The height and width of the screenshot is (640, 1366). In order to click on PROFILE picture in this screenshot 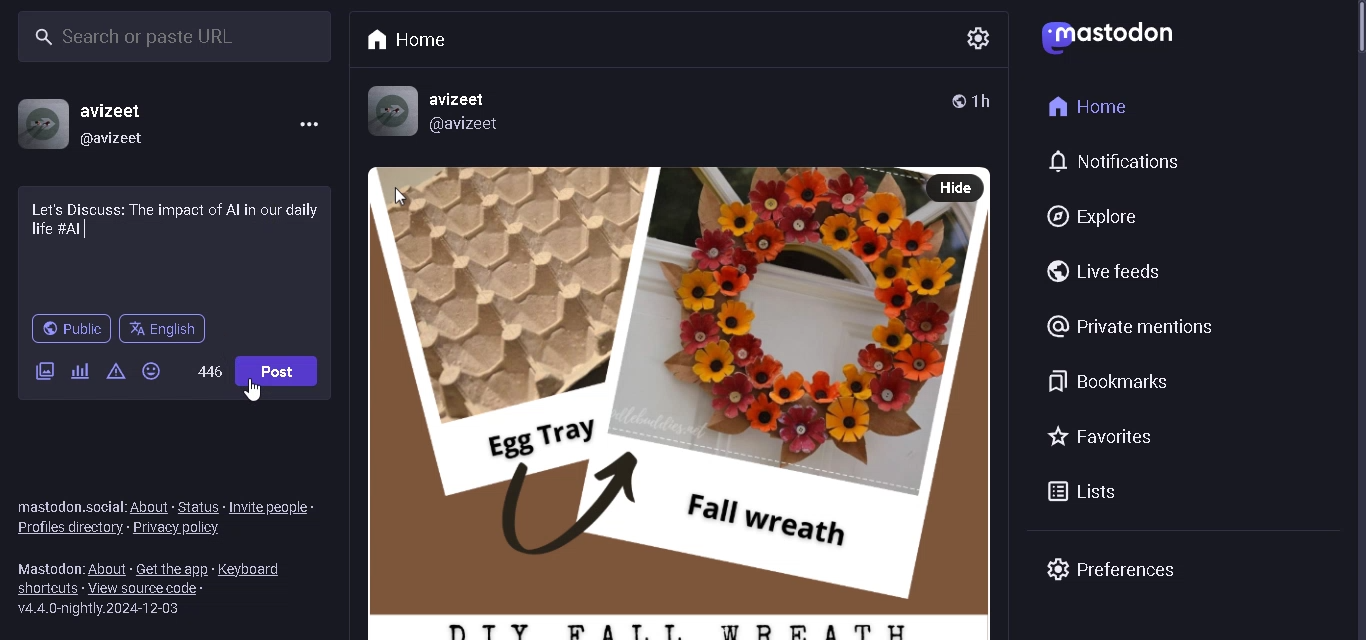, I will do `click(388, 109)`.